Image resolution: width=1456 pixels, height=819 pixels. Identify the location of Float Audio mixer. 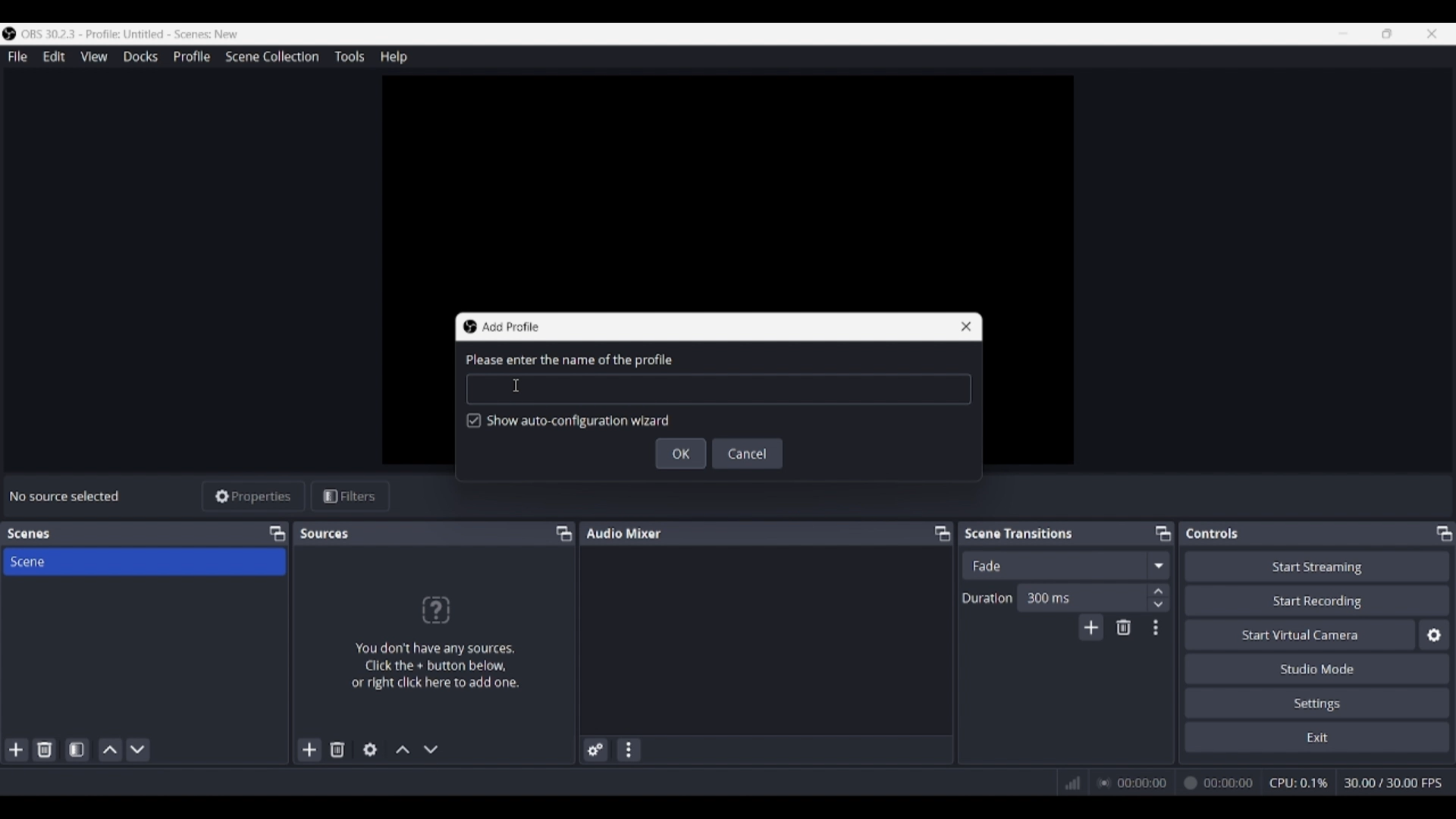
(942, 533).